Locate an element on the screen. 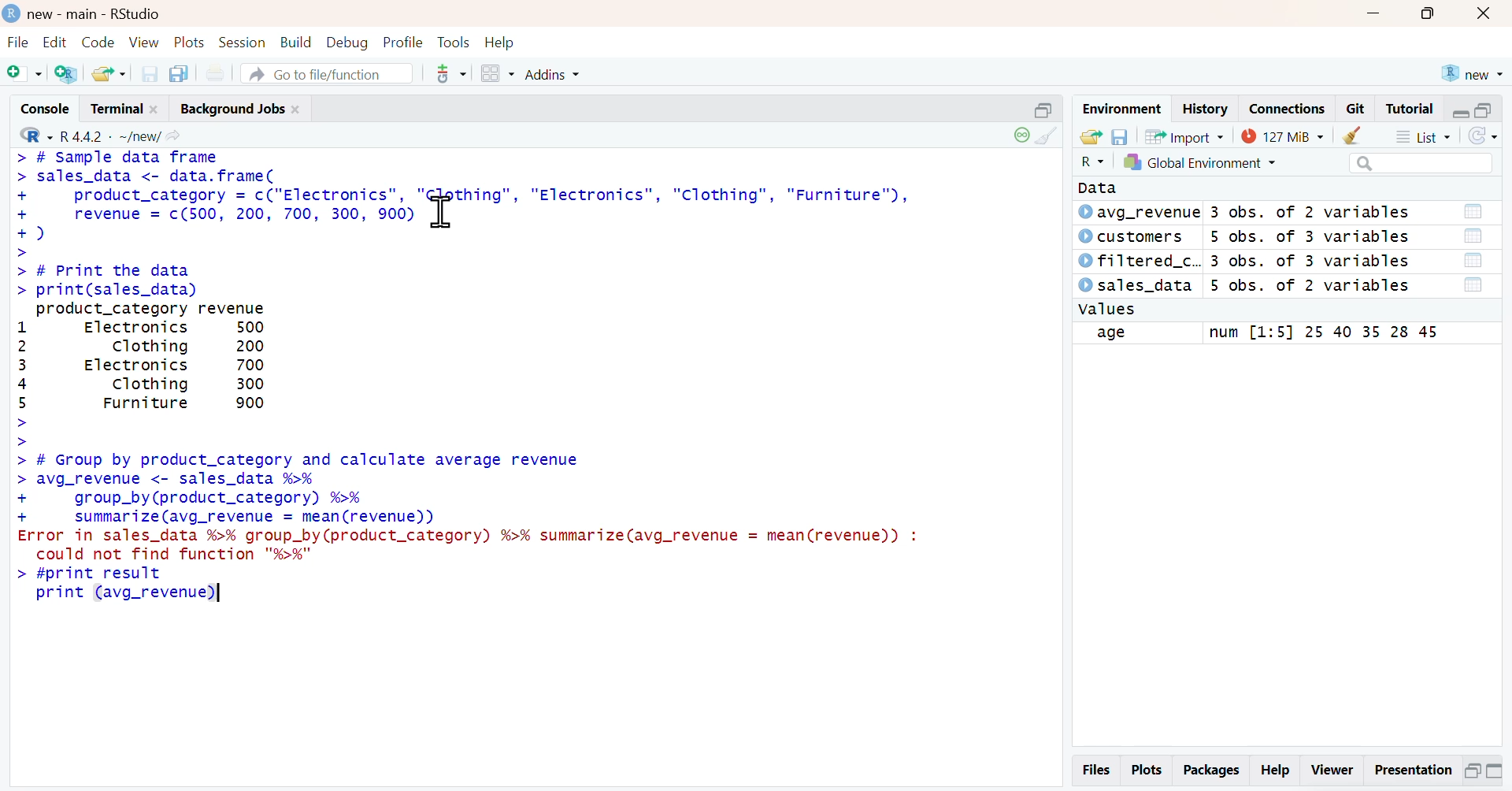 The height and width of the screenshot is (791, 1512). session status is located at coordinates (1020, 136).